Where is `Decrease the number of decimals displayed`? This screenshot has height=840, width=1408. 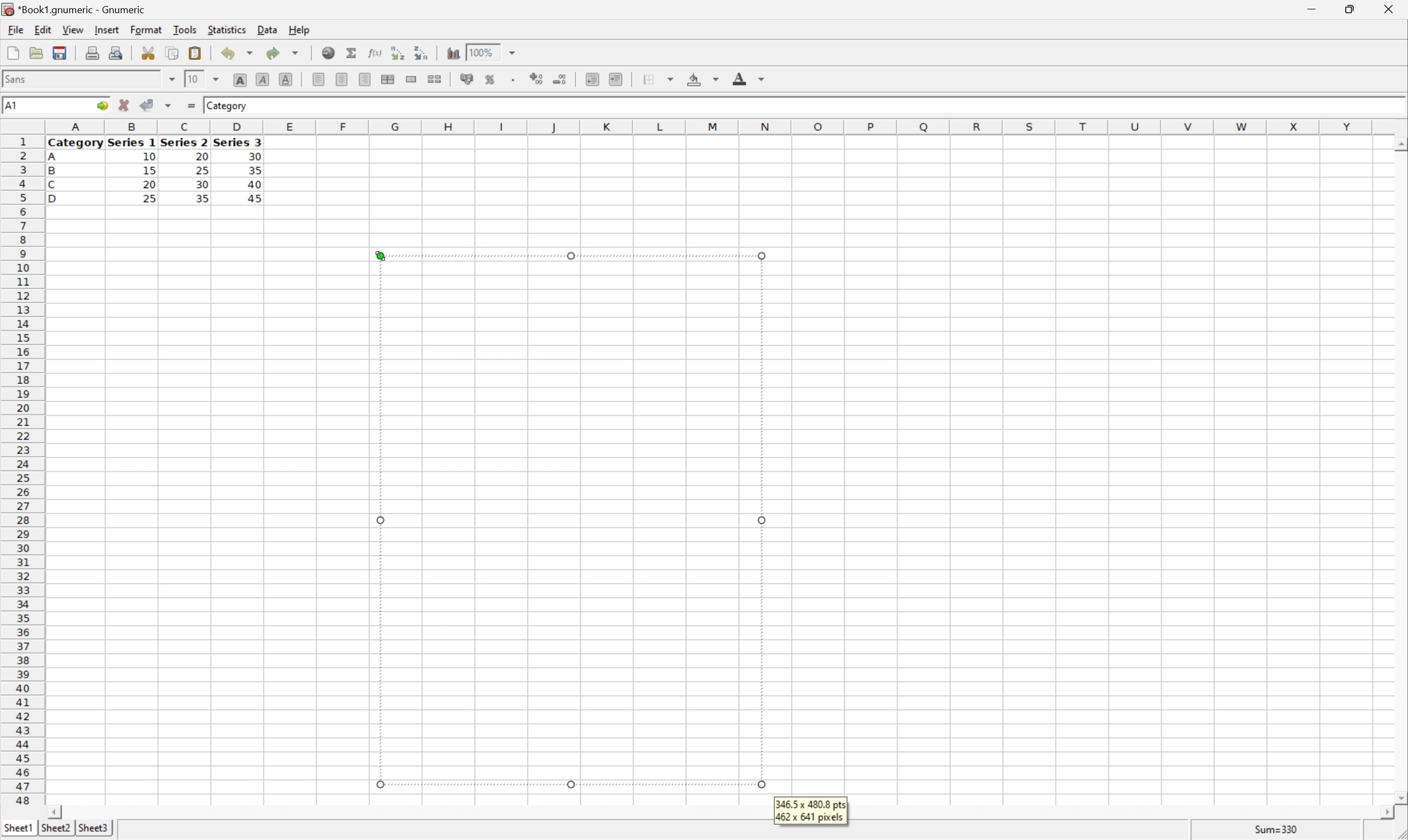
Decrease the number of decimals displayed is located at coordinates (559, 78).